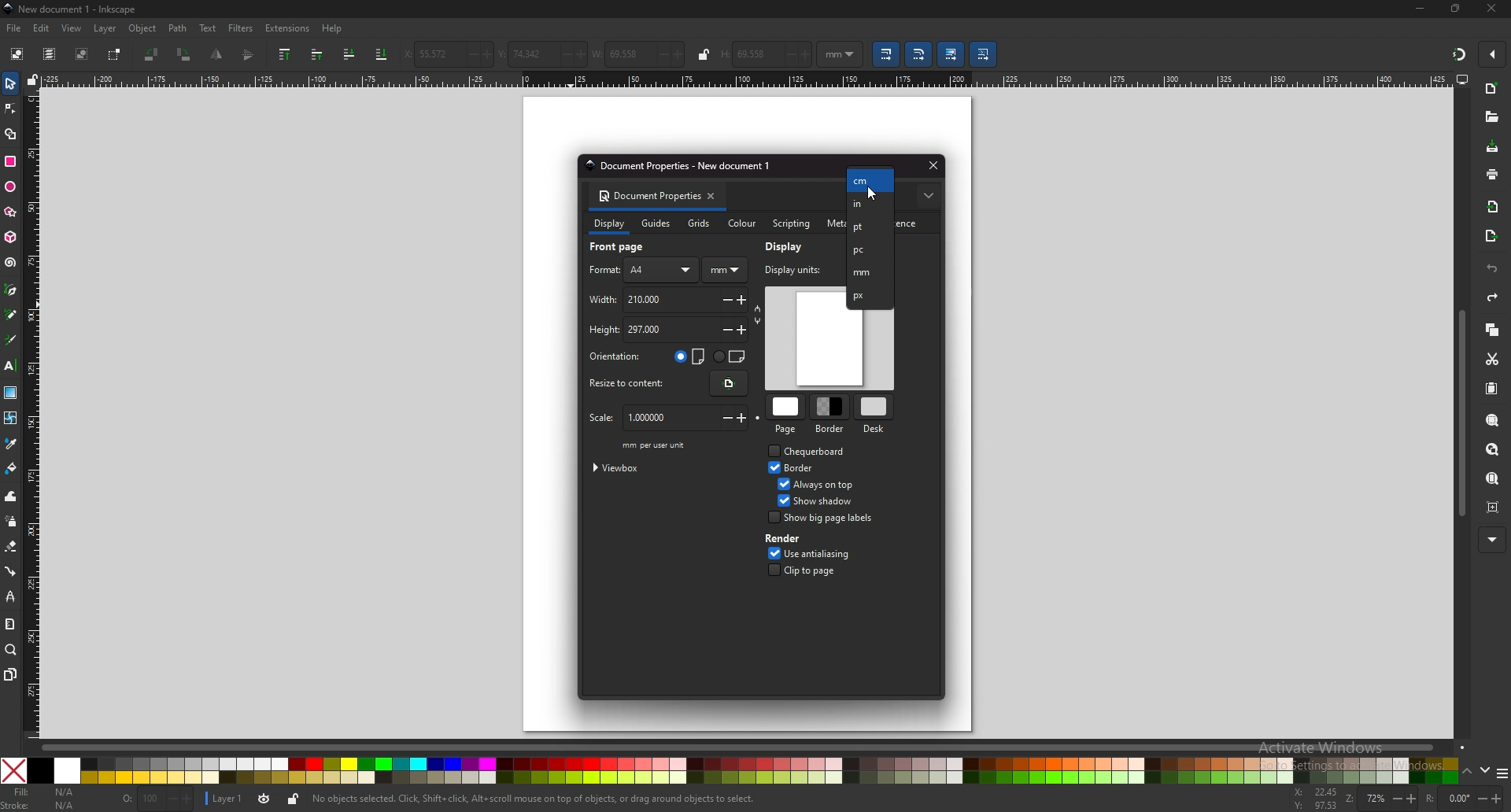  Describe the element at coordinates (658, 223) in the screenshot. I see `guides` at that location.